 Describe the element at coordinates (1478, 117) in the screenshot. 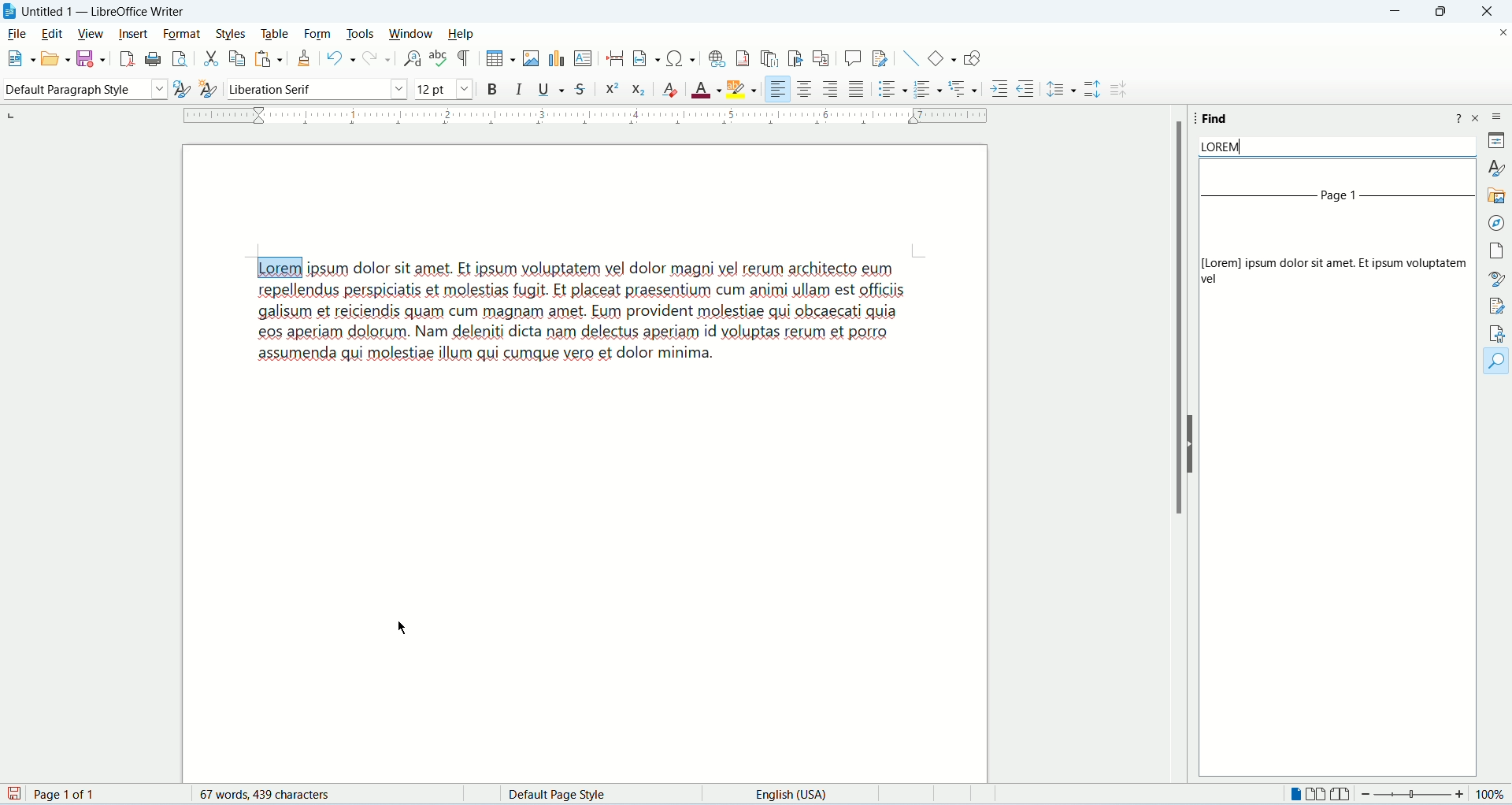

I see `close` at that location.